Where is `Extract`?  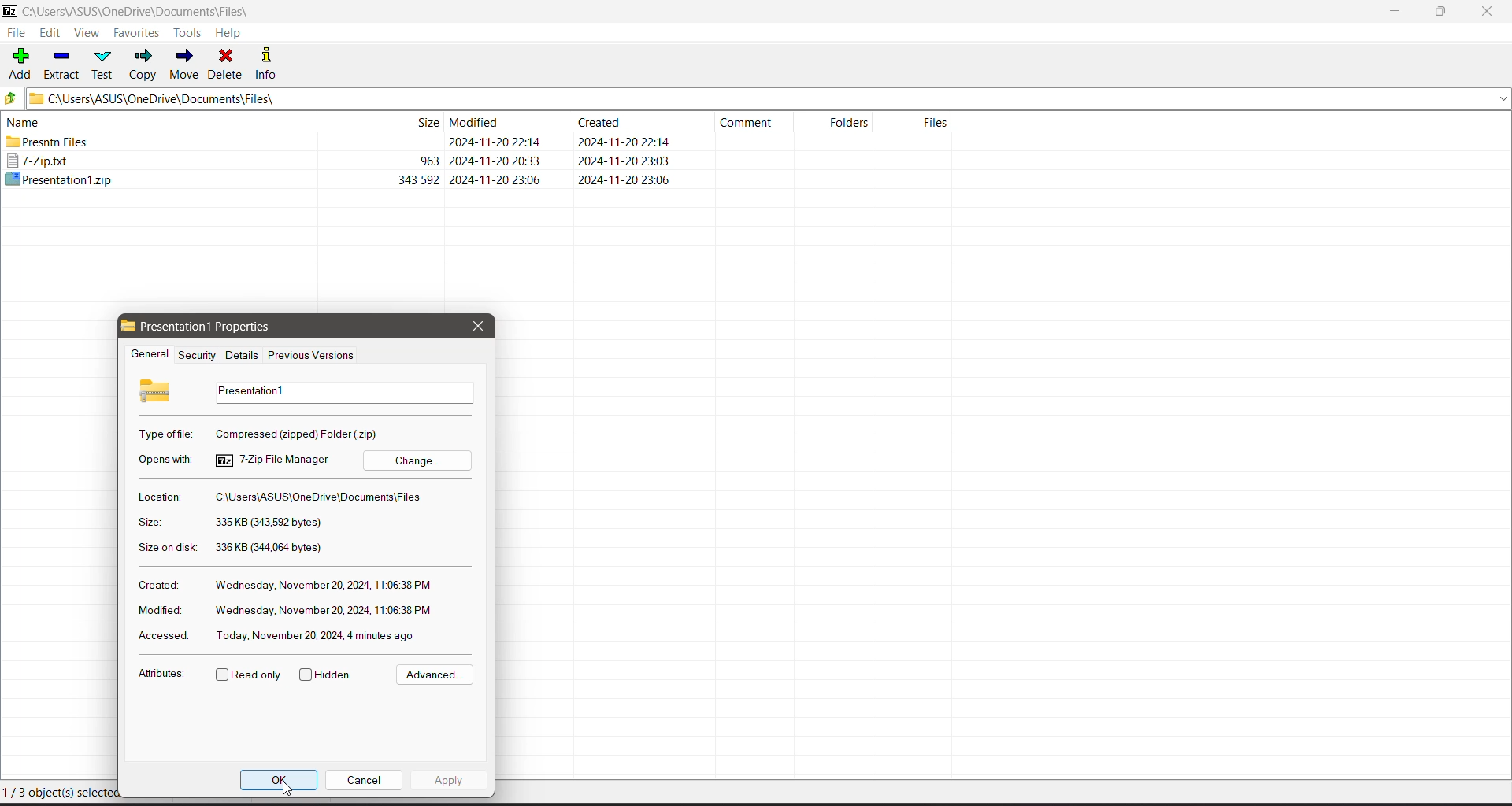
Extract is located at coordinates (62, 63).